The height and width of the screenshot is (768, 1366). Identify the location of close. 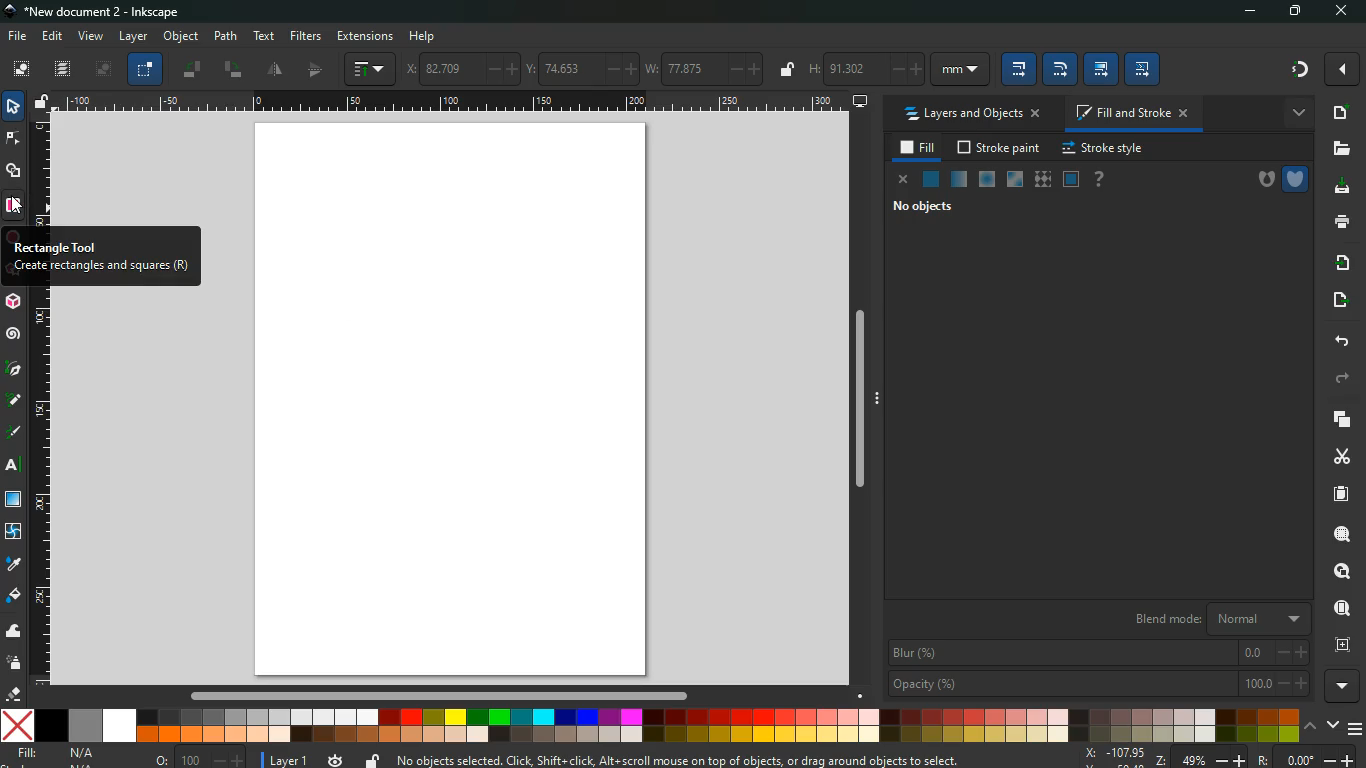
(1343, 12).